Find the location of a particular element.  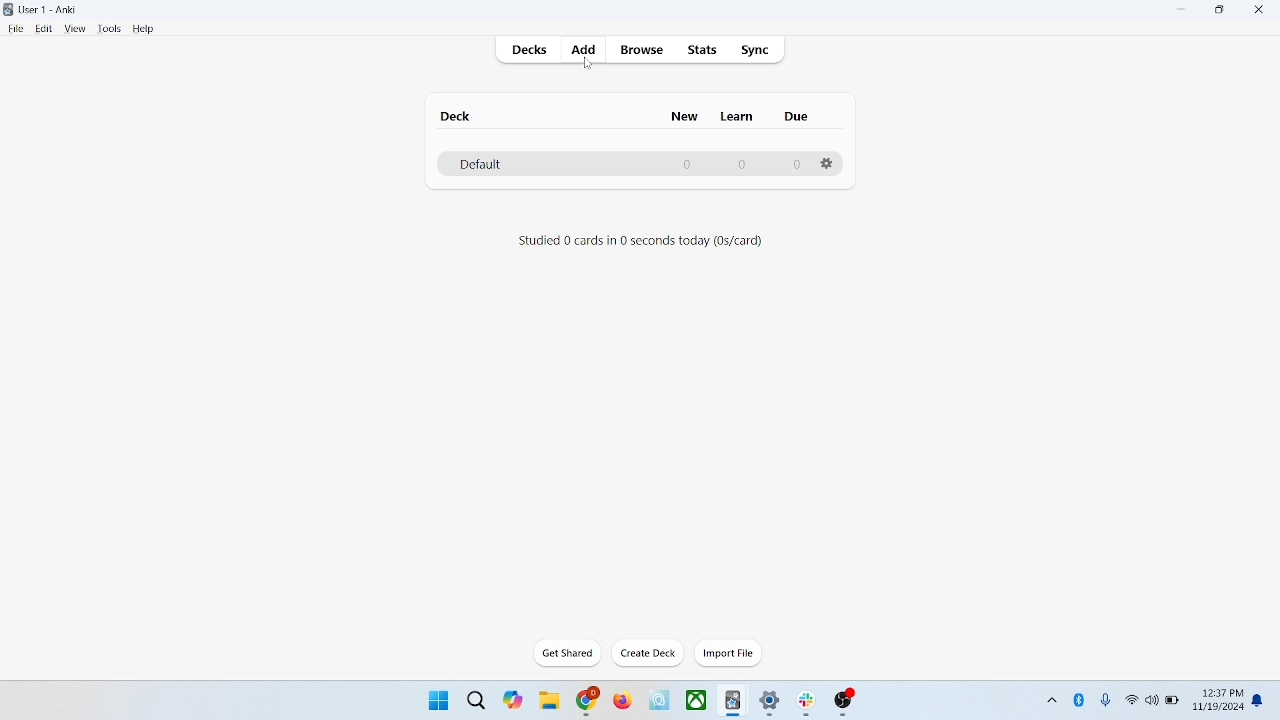

wifi is located at coordinates (1131, 699).